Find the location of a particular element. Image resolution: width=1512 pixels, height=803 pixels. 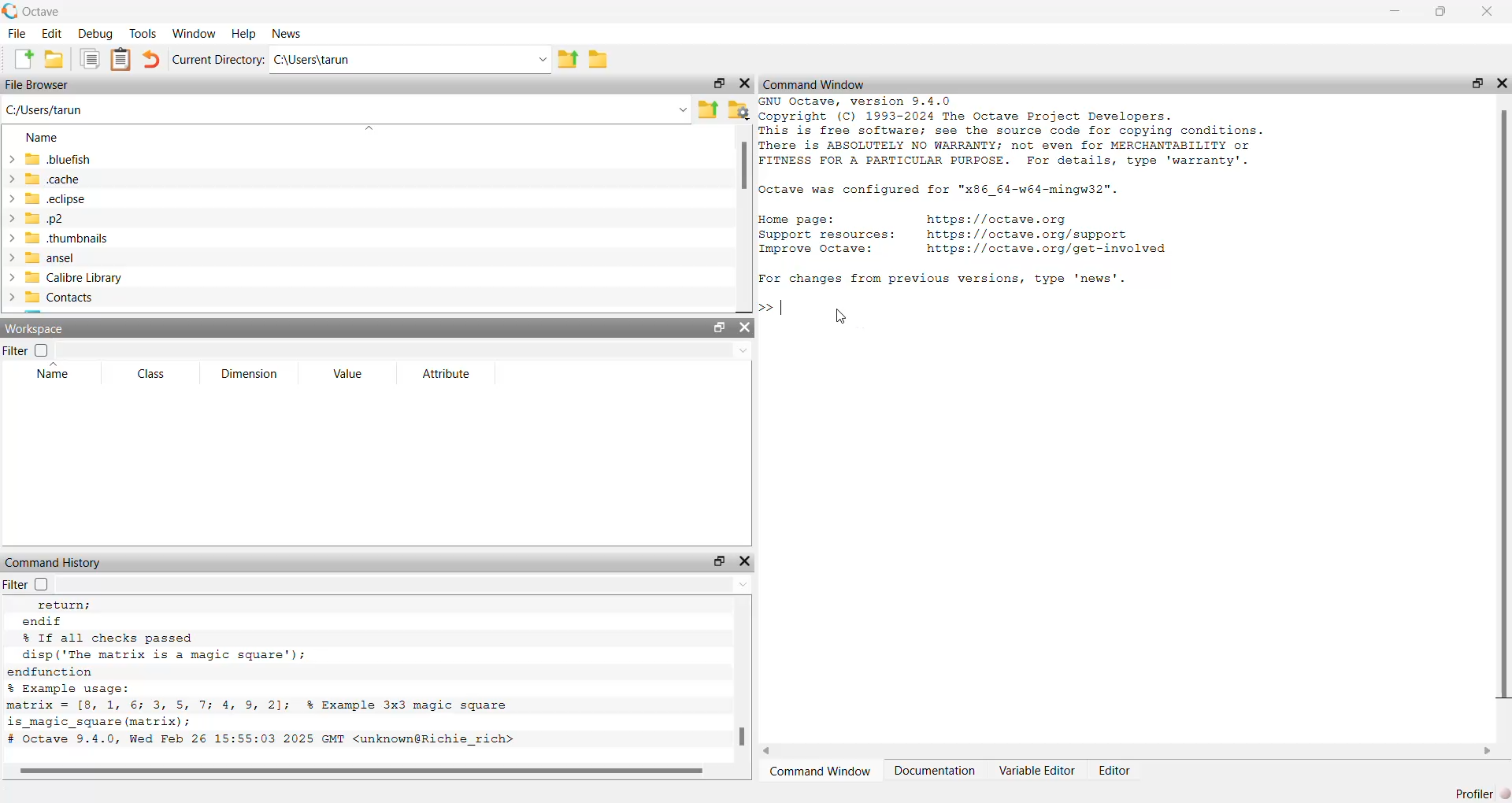

C:\Users\tarun is located at coordinates (311, 60).